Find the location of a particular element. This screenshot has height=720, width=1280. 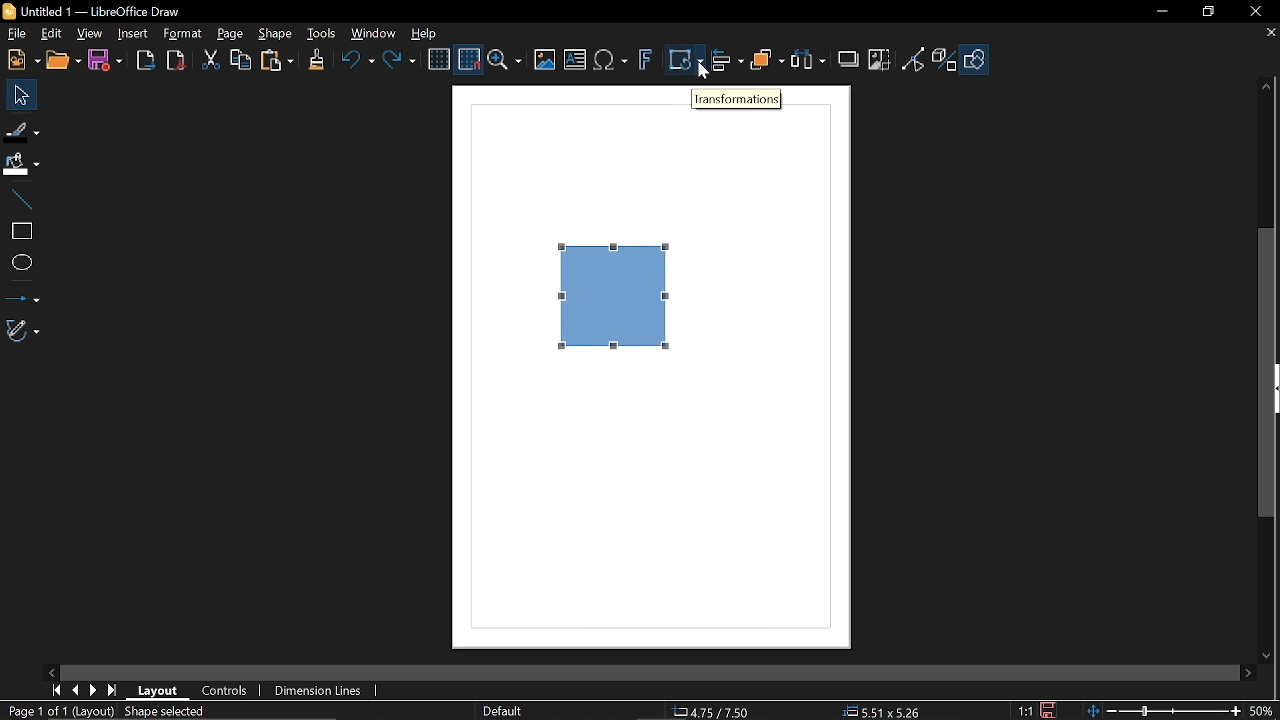

Snap to grid is located at coordinates (470, 60).